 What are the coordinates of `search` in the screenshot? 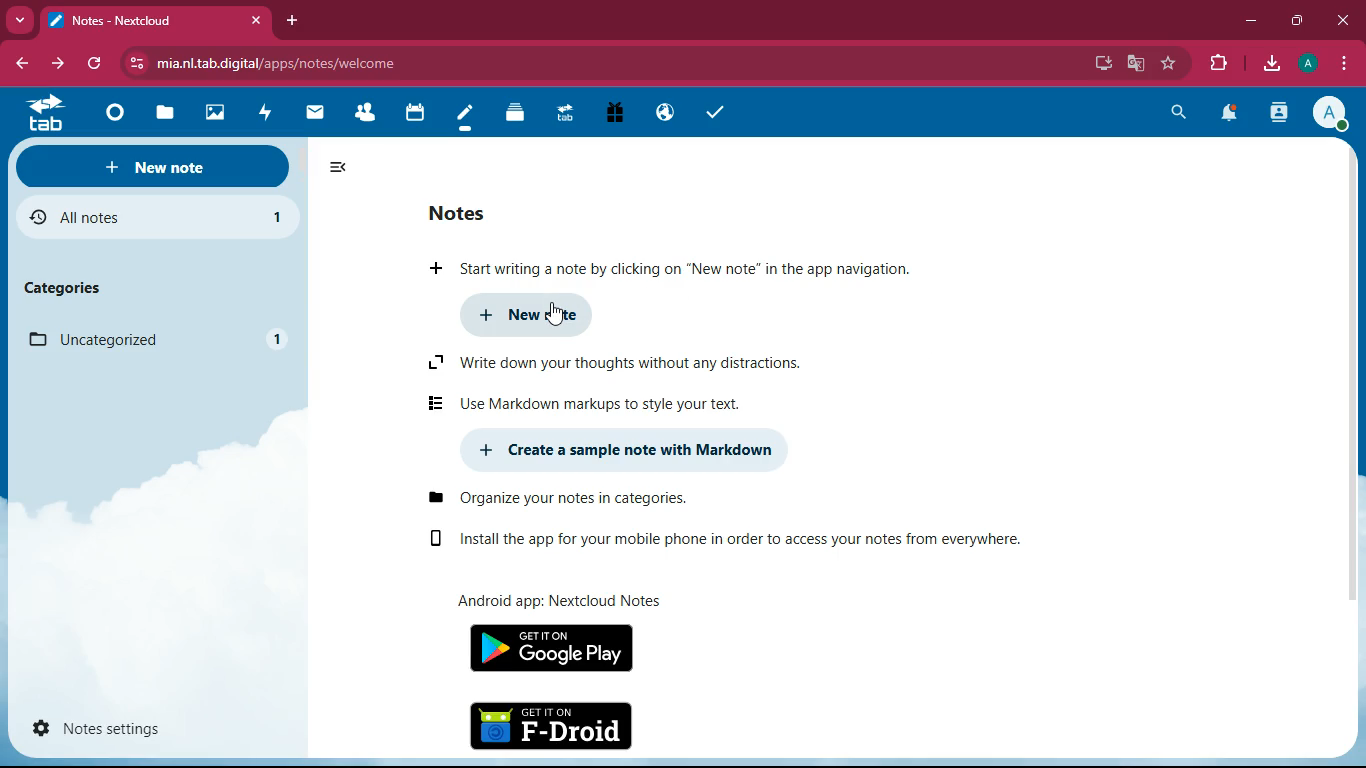 It's located at (1180, 115).